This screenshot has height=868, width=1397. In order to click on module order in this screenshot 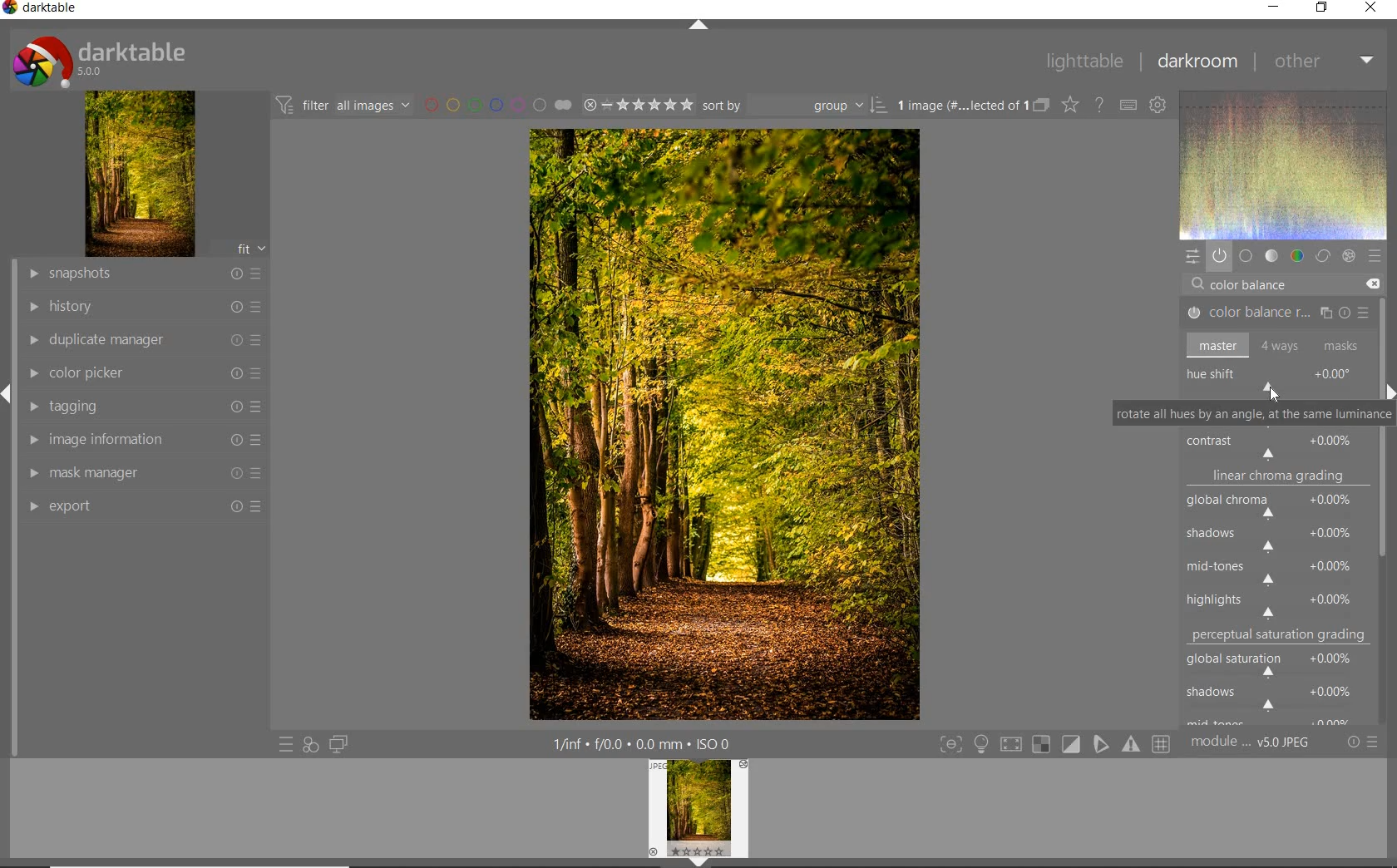, I will do `click(1250, 744)`.